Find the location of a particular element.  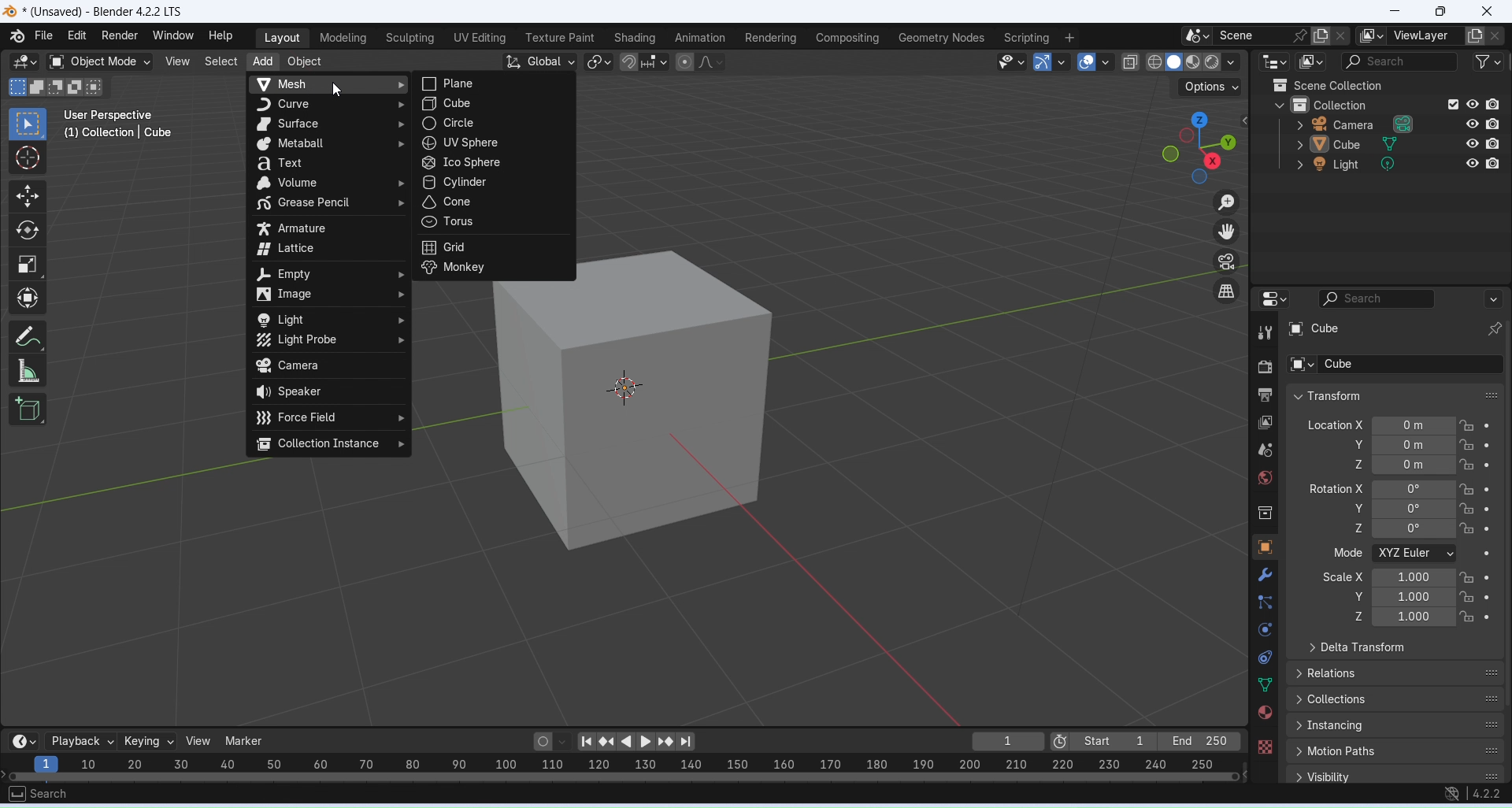

Mode is located at coordinates (1349, 552).